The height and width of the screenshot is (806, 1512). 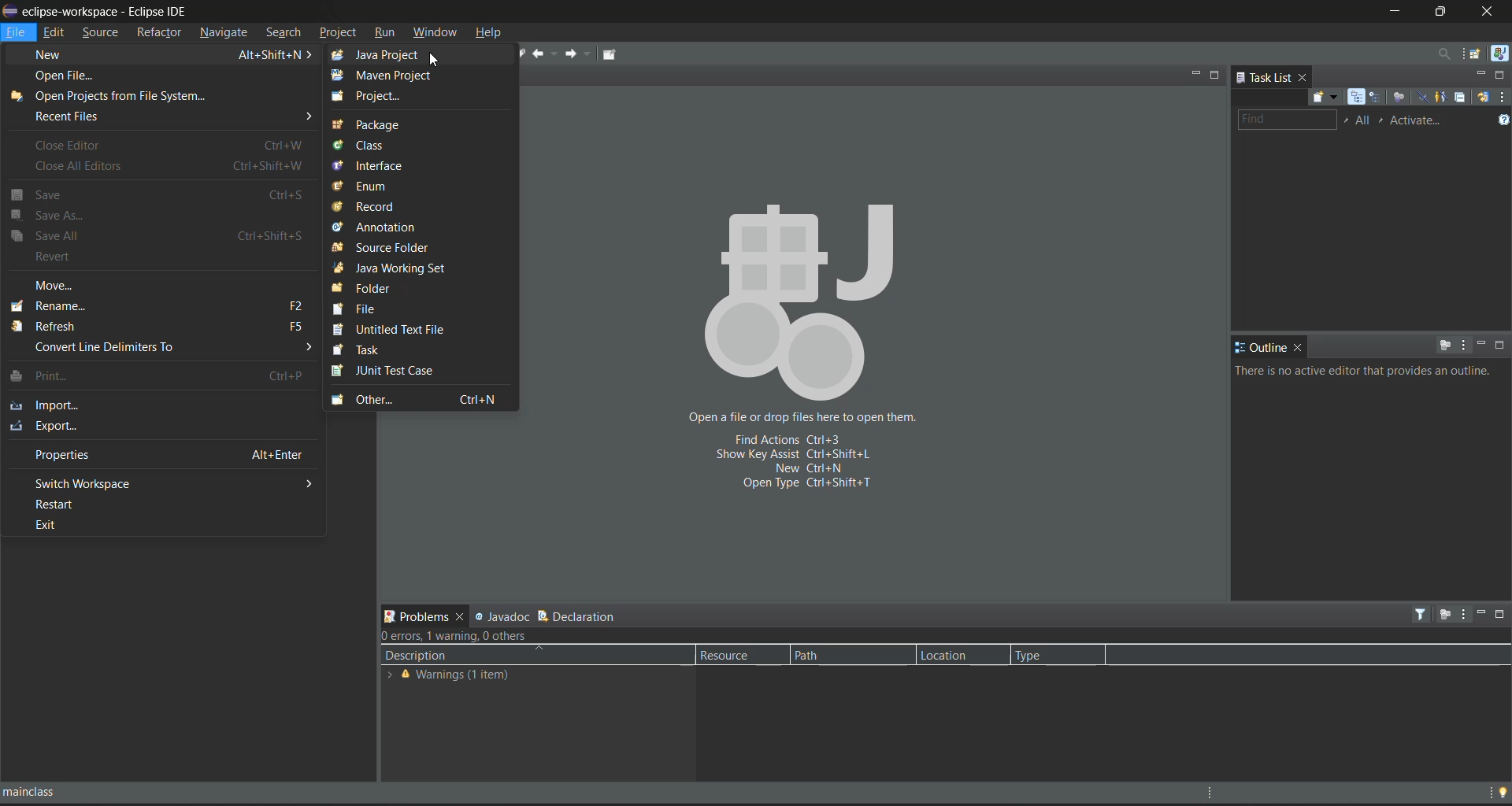 What do you see at coordinates (476, 677) in the screenshot?
I see `warnings (1 item)` at bounding box center [476, 677].